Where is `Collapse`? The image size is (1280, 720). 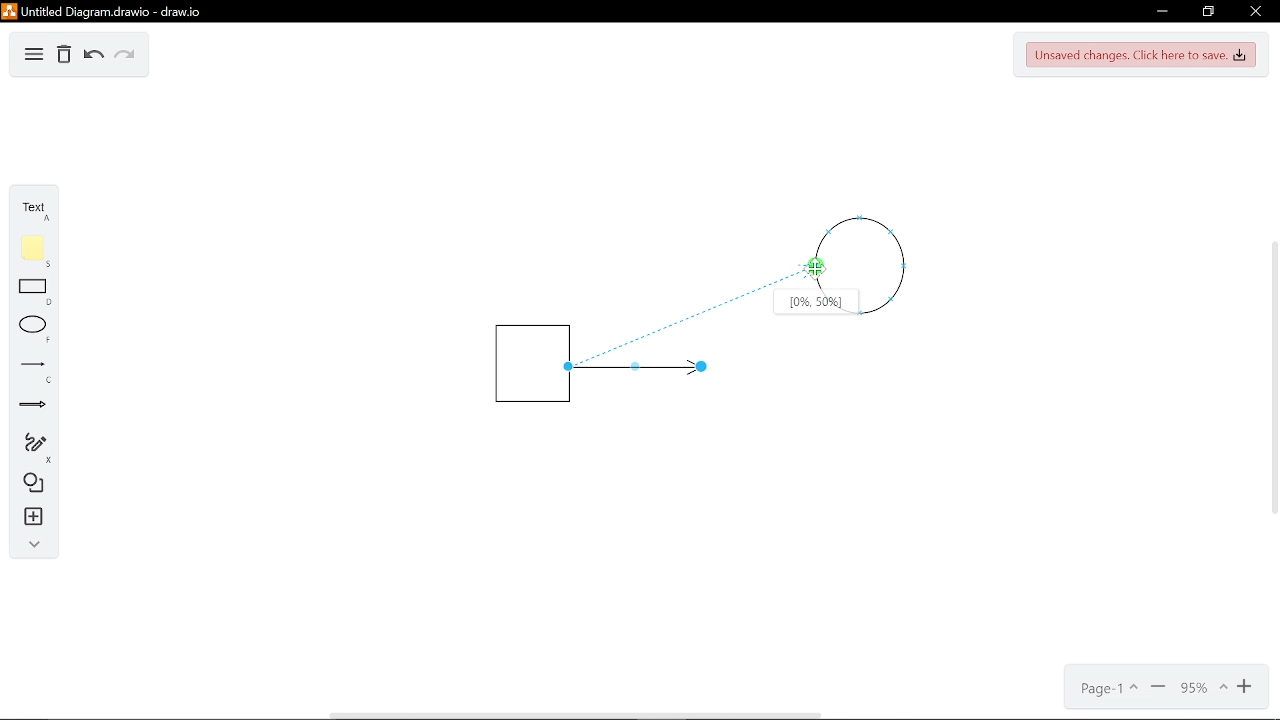 Collapse is located at coordinates (28, 544).